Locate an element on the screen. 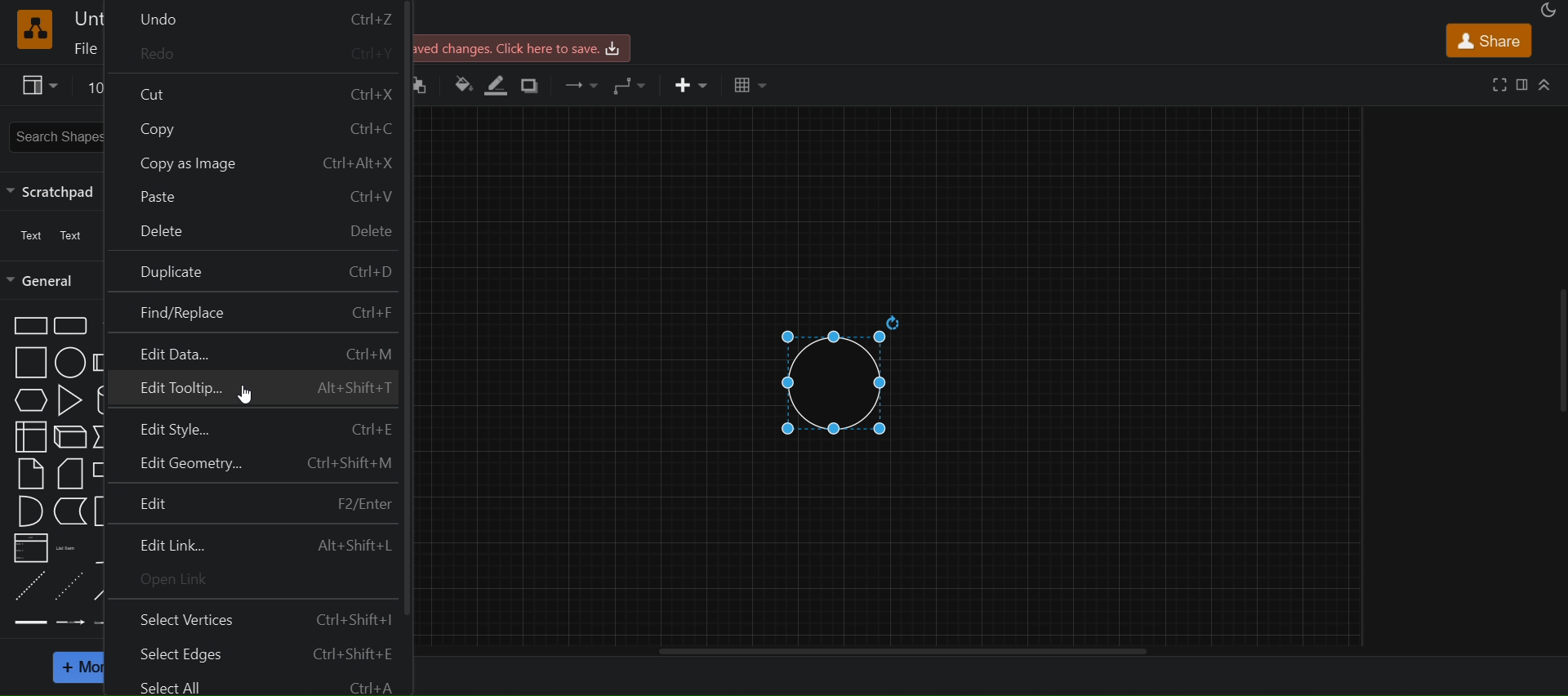 Image resolution: width=1568 pixels, height=696 pixels. fullscreen is located at coordinates (1496, 83).